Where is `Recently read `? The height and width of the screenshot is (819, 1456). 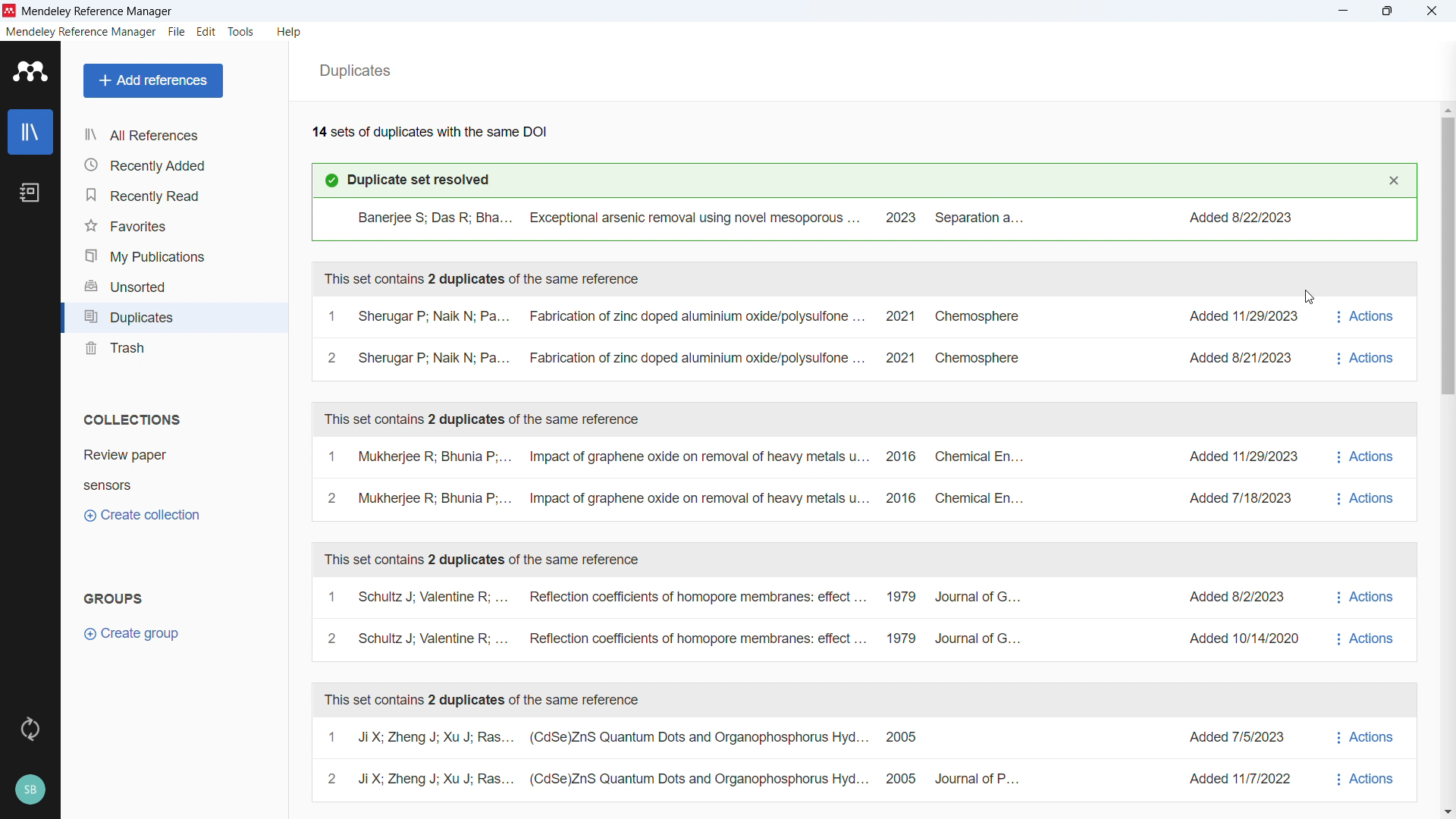
Recently read  is located at coordinates (172, 193).